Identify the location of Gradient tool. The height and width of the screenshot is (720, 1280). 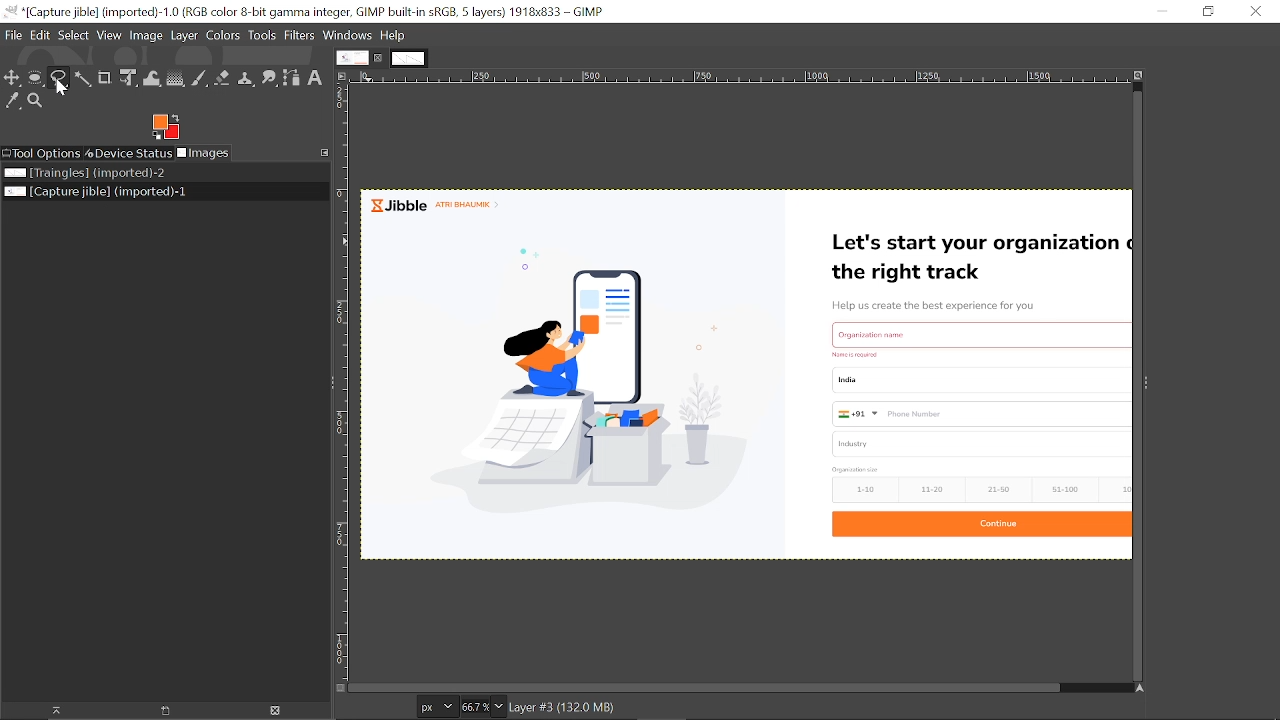
(176, 78).